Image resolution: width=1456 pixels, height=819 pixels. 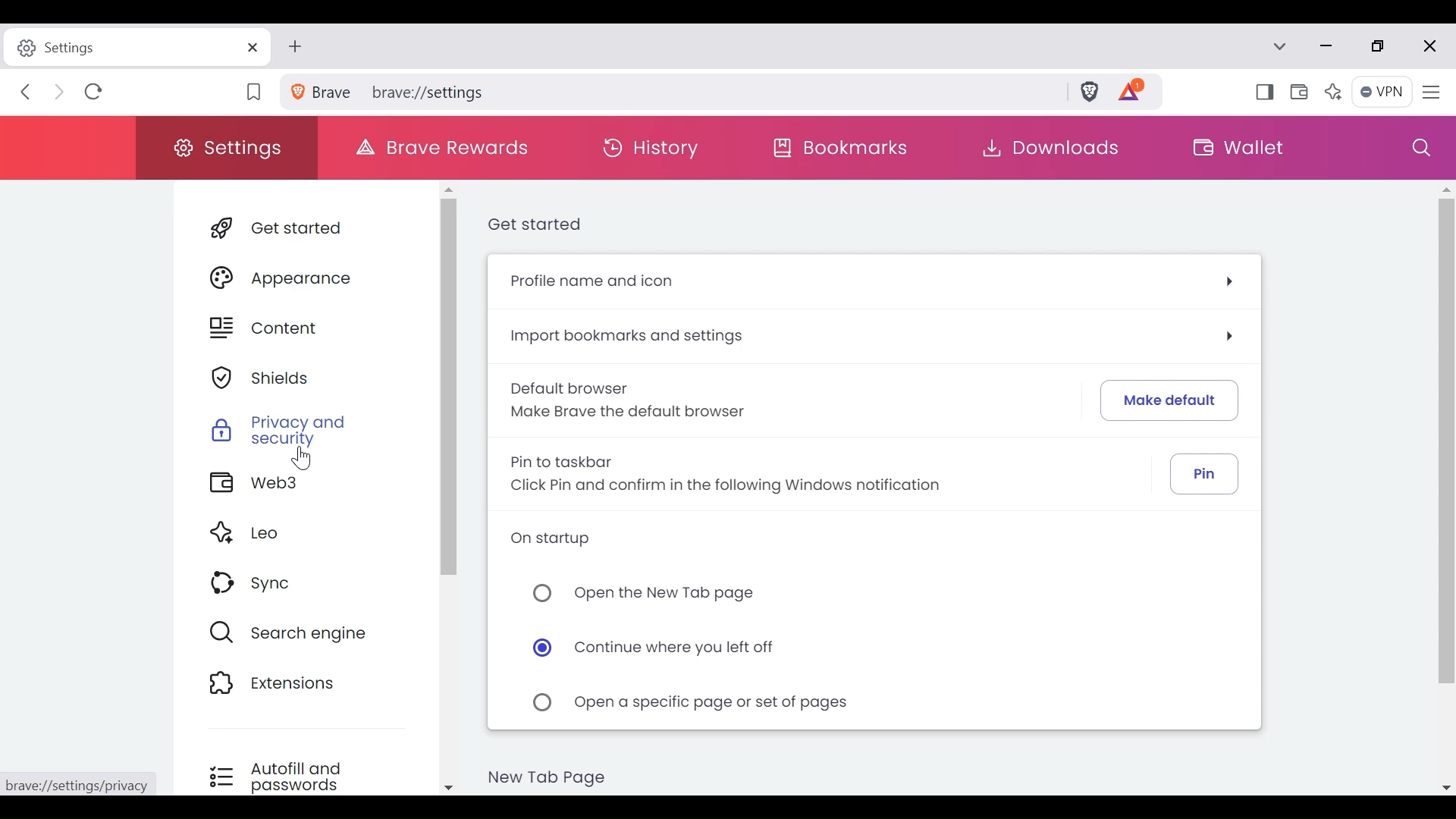 I want to click on Pin to Taskbar, so click(x=870, y=473).